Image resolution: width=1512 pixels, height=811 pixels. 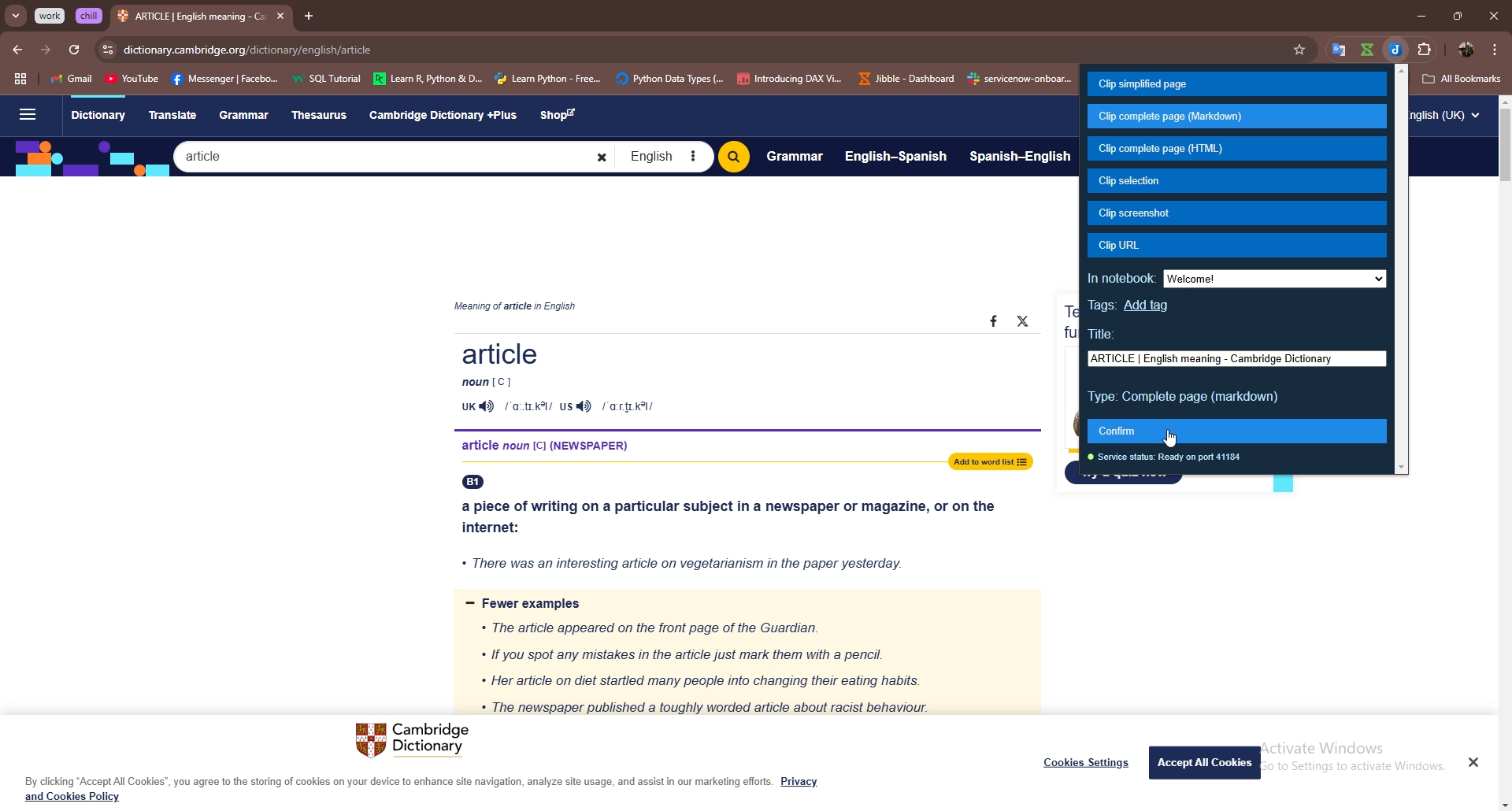 I want to click on English-Spanish, so click(x=896, y=155).